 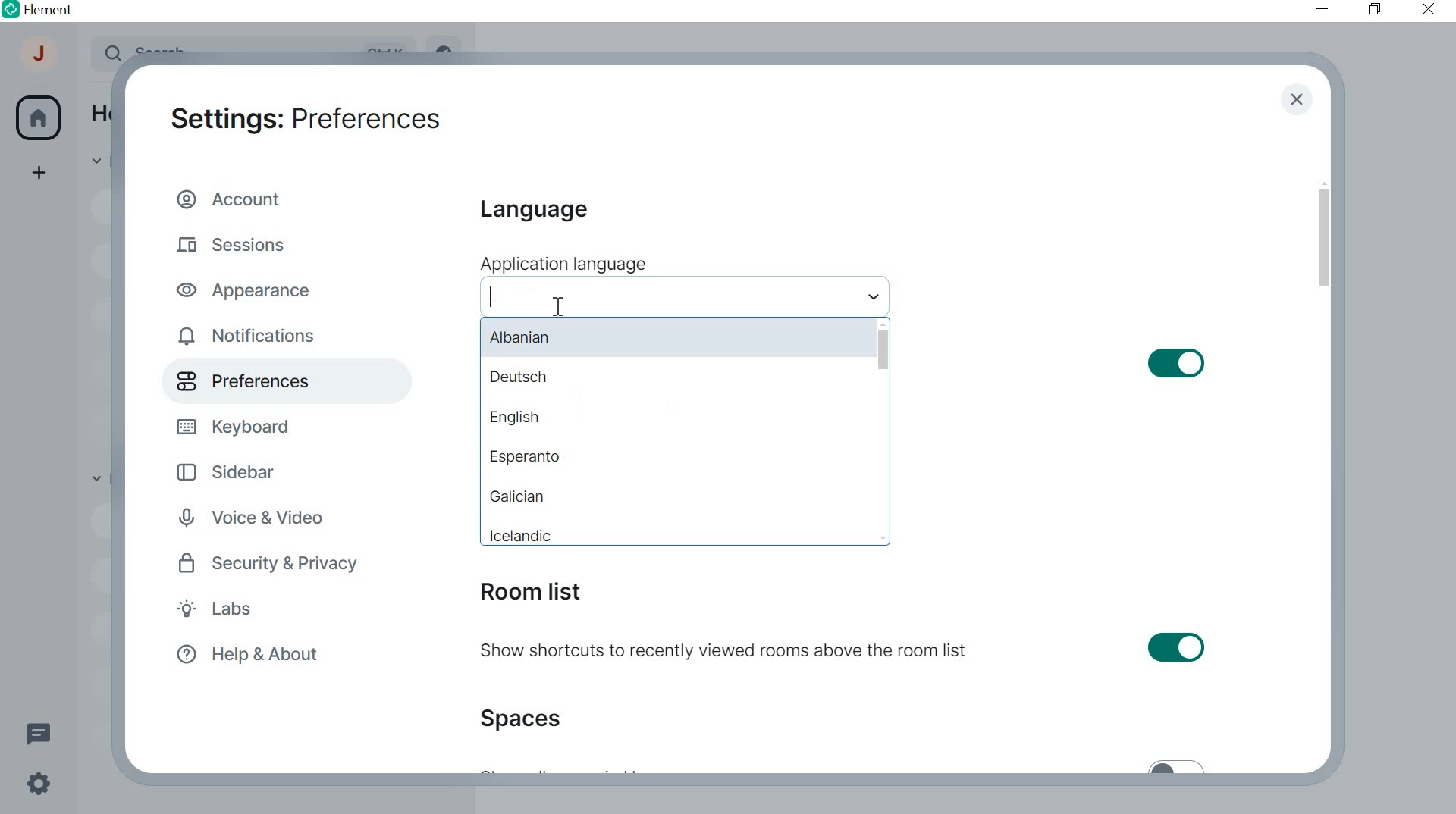 I want to click on ESPERANTO, so click(x=674, y=457).